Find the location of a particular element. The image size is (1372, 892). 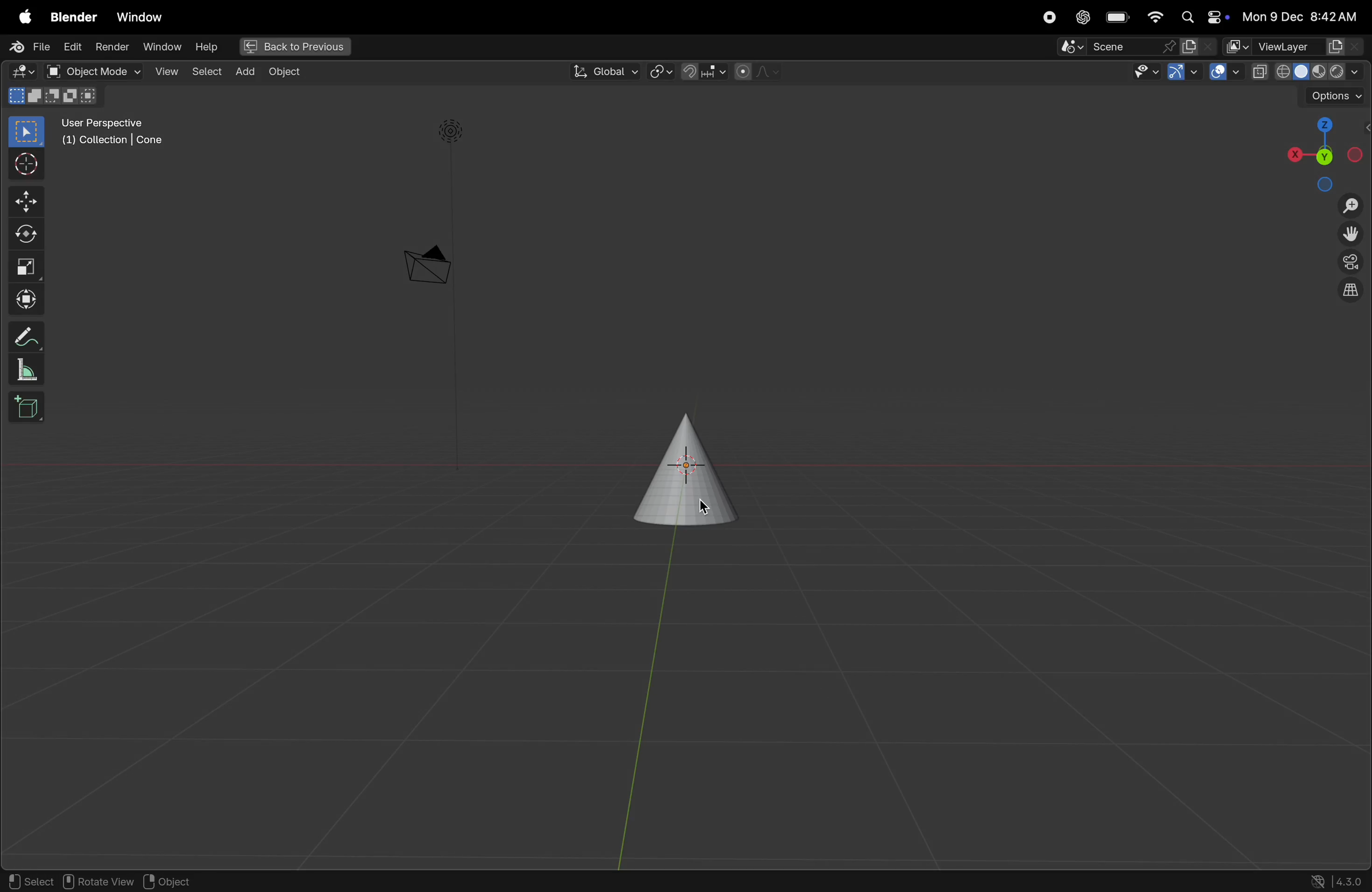

show visinlilty is located at coordinates (1147, 72).